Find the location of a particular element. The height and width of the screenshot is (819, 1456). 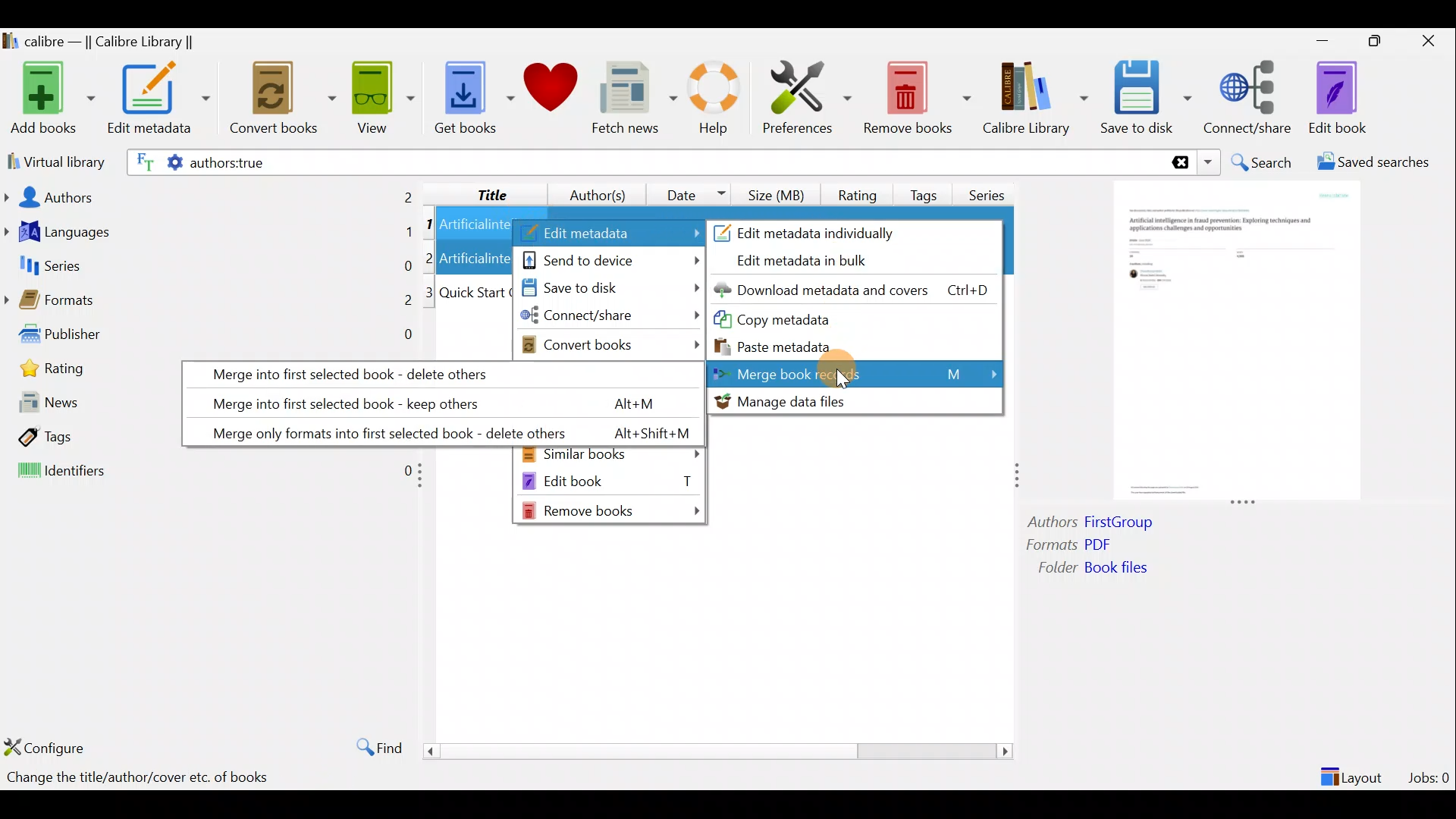

Rating is located at coordinates (89, 373).